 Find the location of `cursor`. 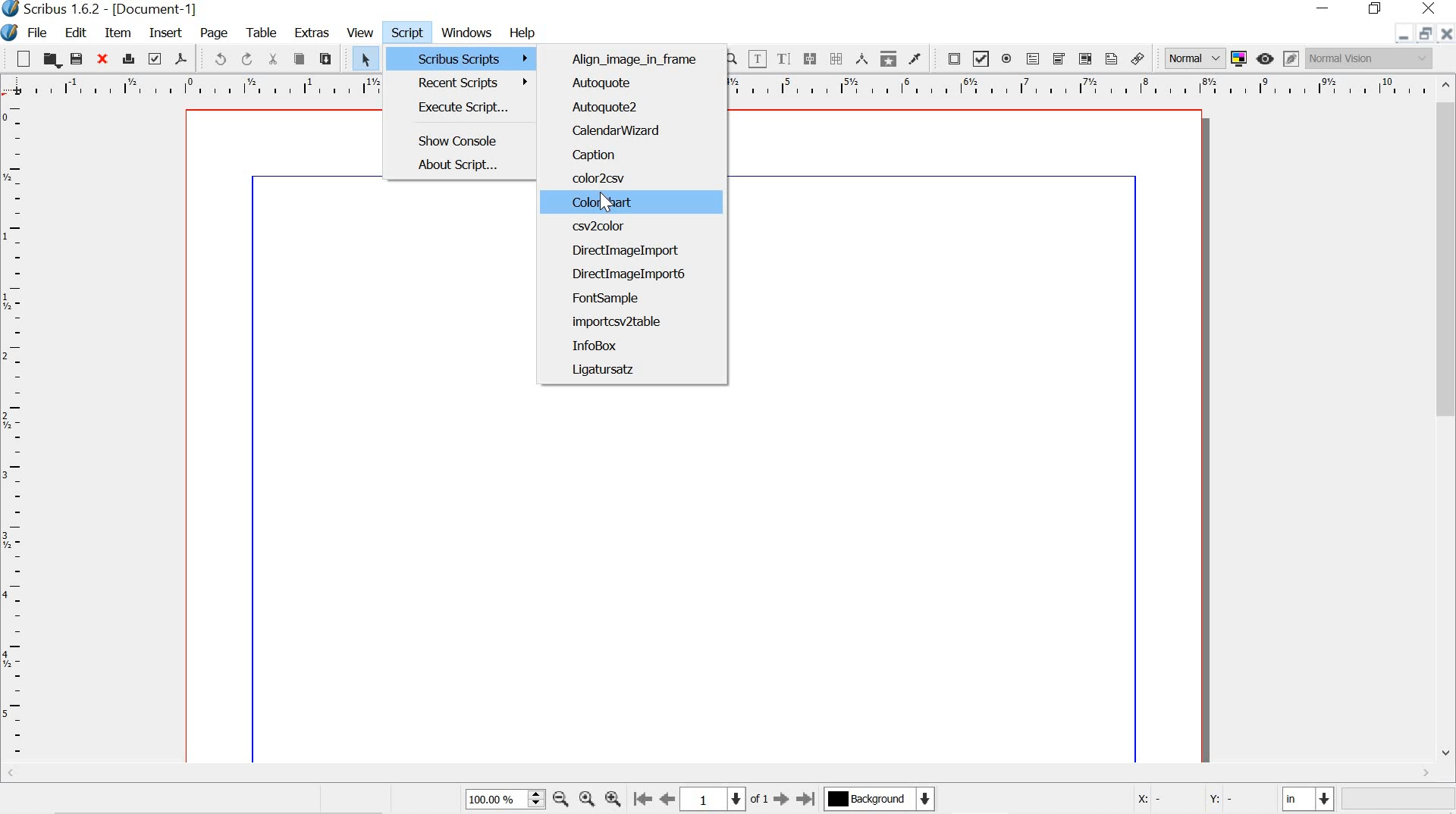

cursor is located at coordinates (607, 202).